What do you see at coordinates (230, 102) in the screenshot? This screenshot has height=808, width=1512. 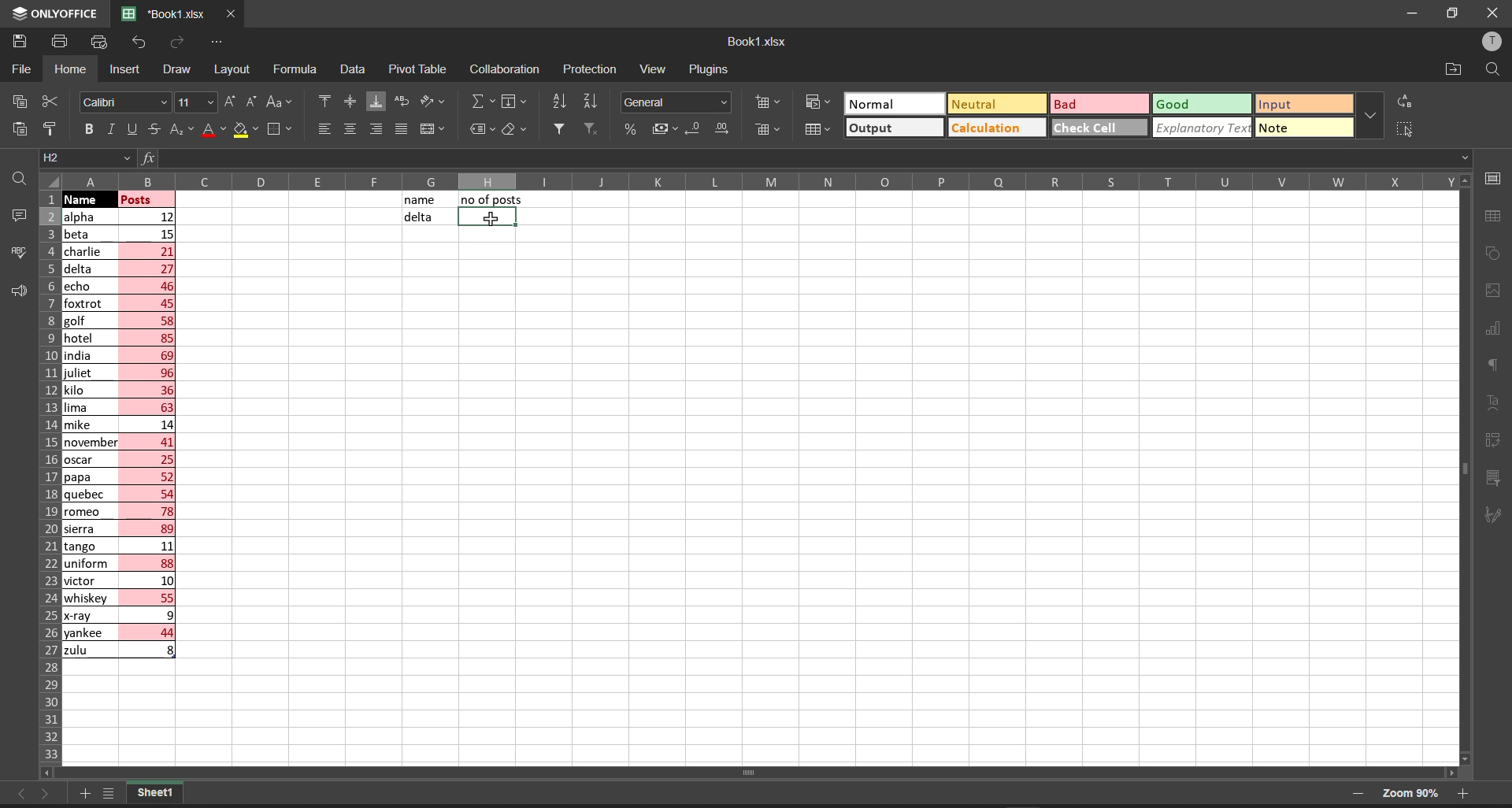 I see `increment font size` at bounding box center [230, 102].